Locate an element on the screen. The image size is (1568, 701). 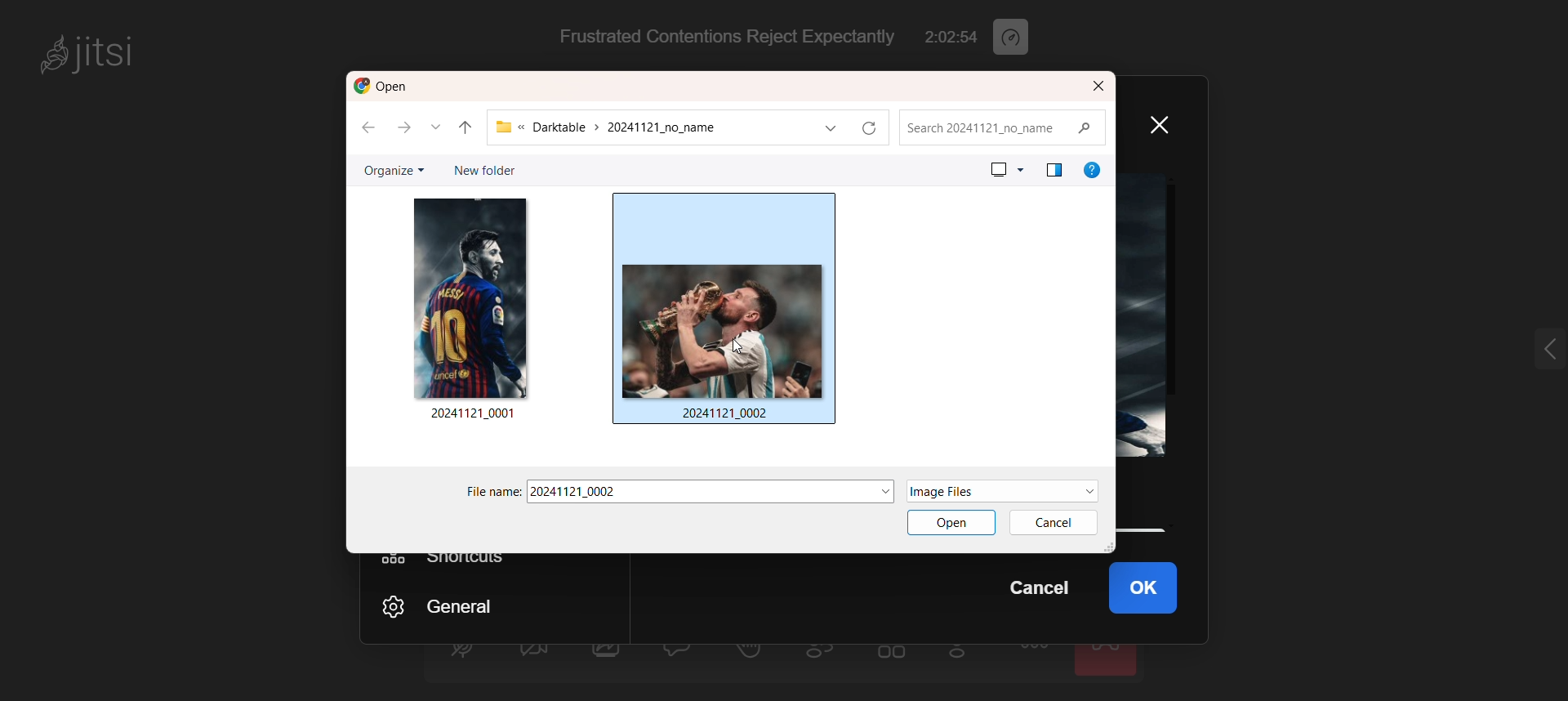
forward is located at coordinates (408, 128).